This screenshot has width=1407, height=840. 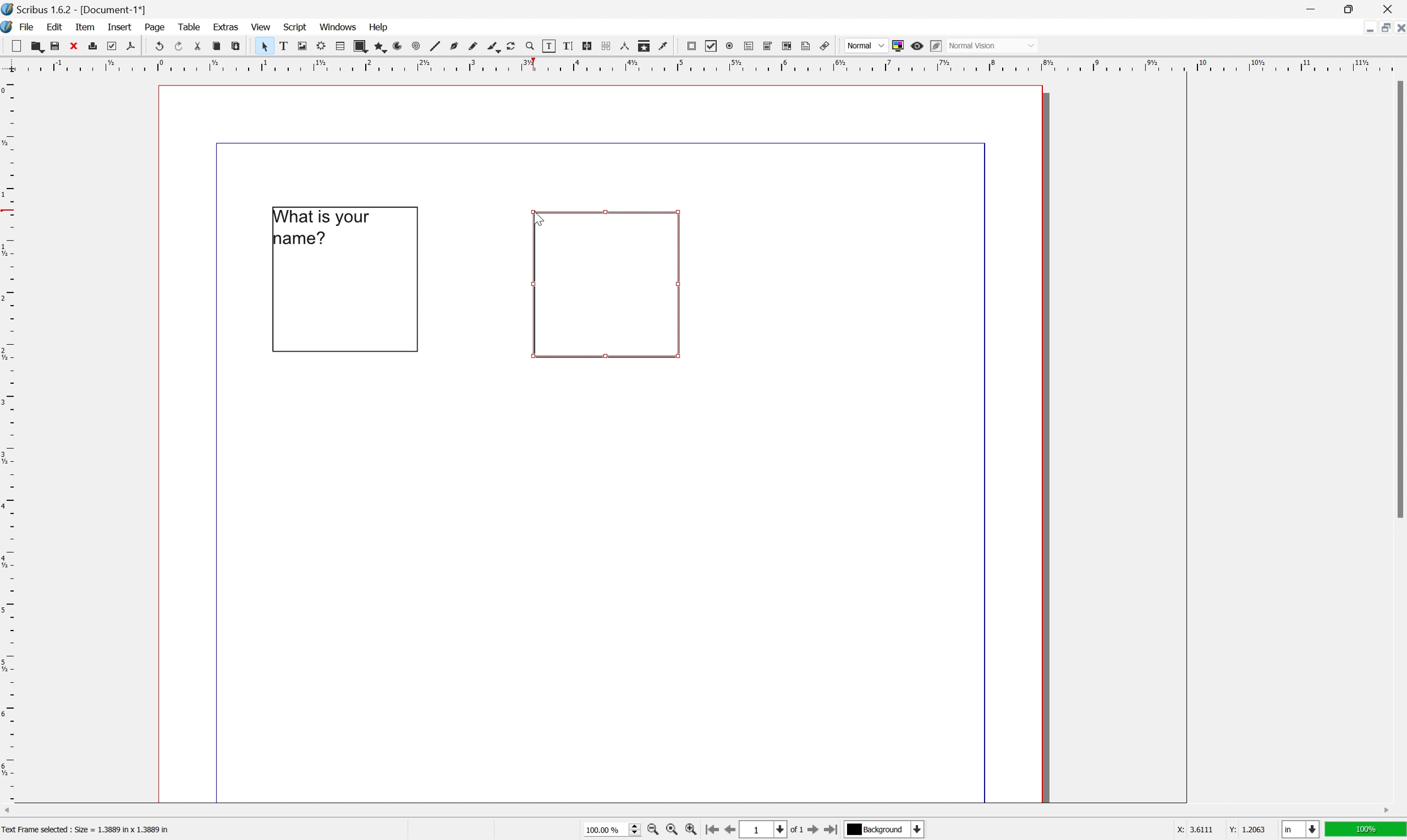 What do you see at coordinates (455, 46) in the screenshot?
I see `bezier curve` at bounding box center [455, 46].